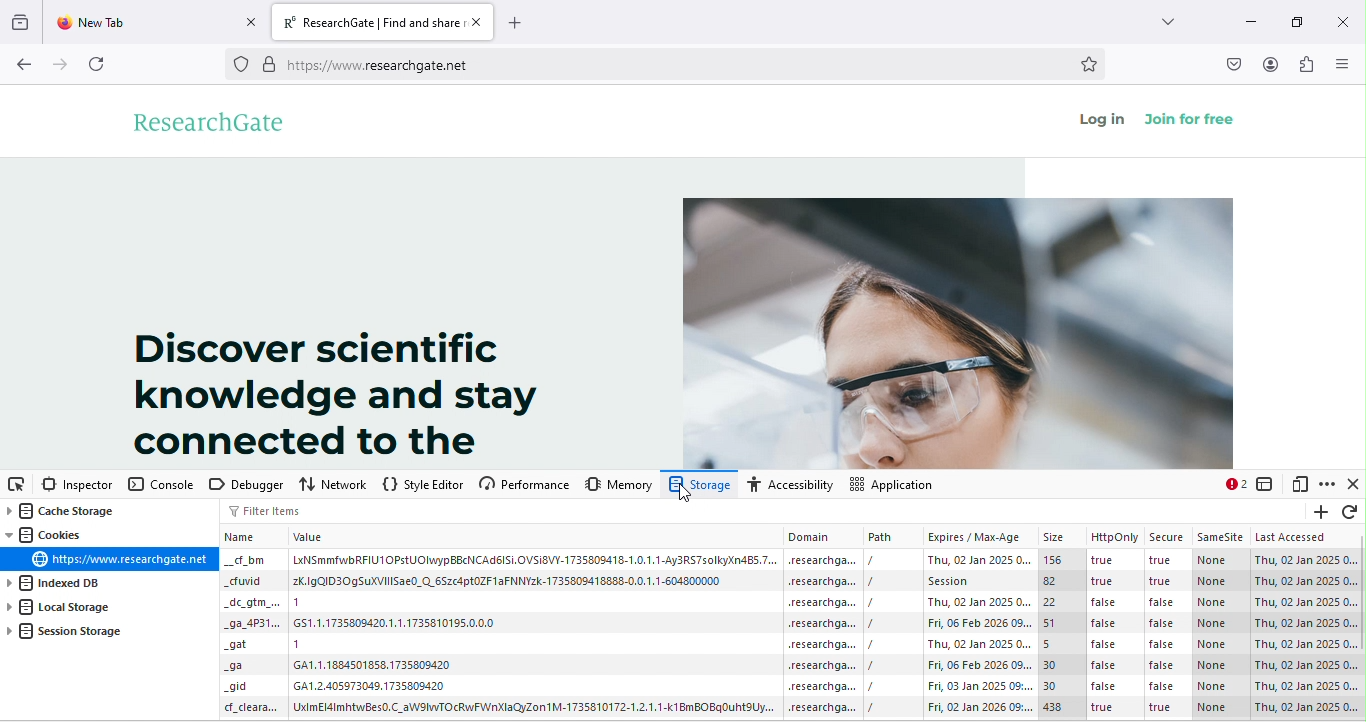  Describe the element at coordinates (508, 582) in the screenshot. I see `value` at that location.